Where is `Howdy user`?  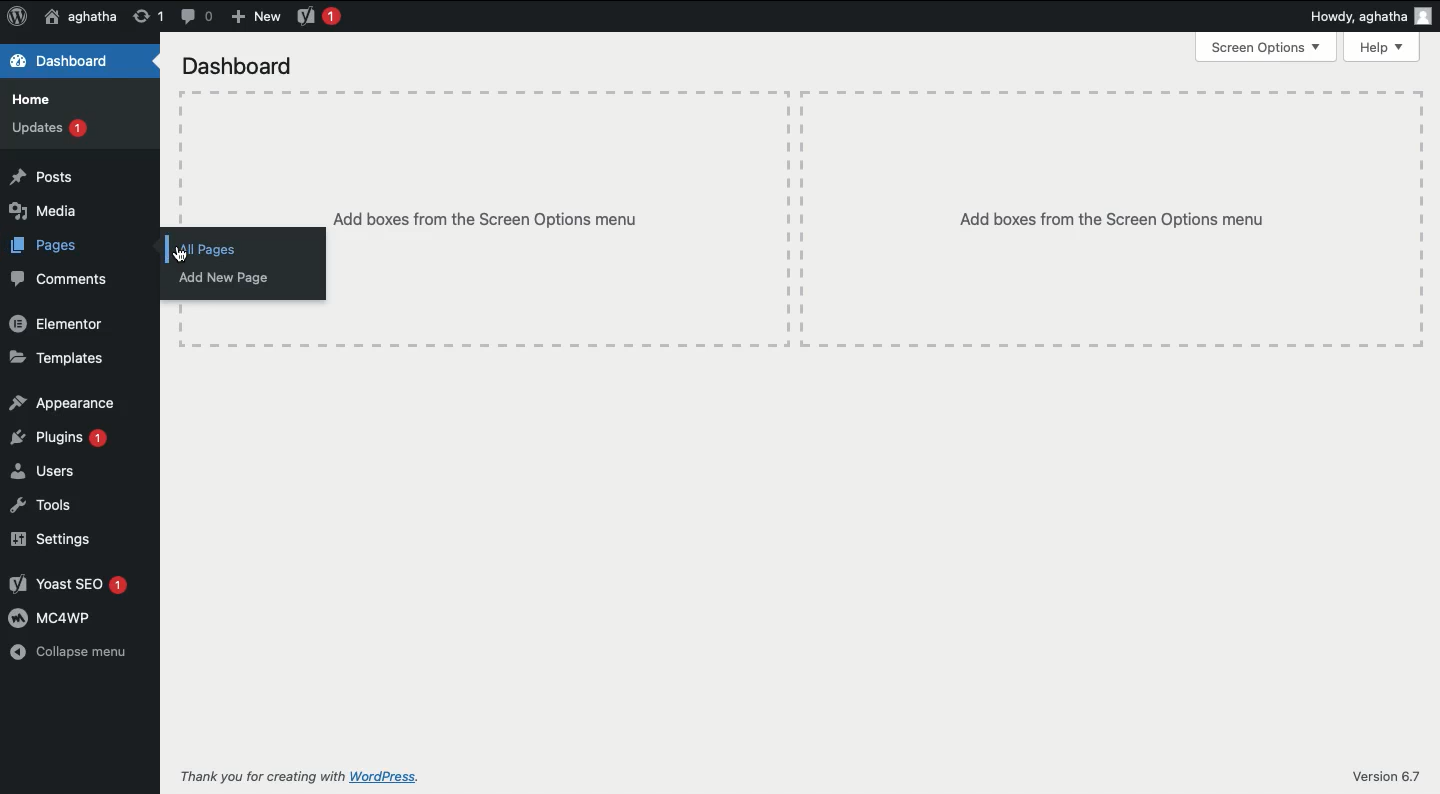 Howdy user is located at coordinates (1372, 14).